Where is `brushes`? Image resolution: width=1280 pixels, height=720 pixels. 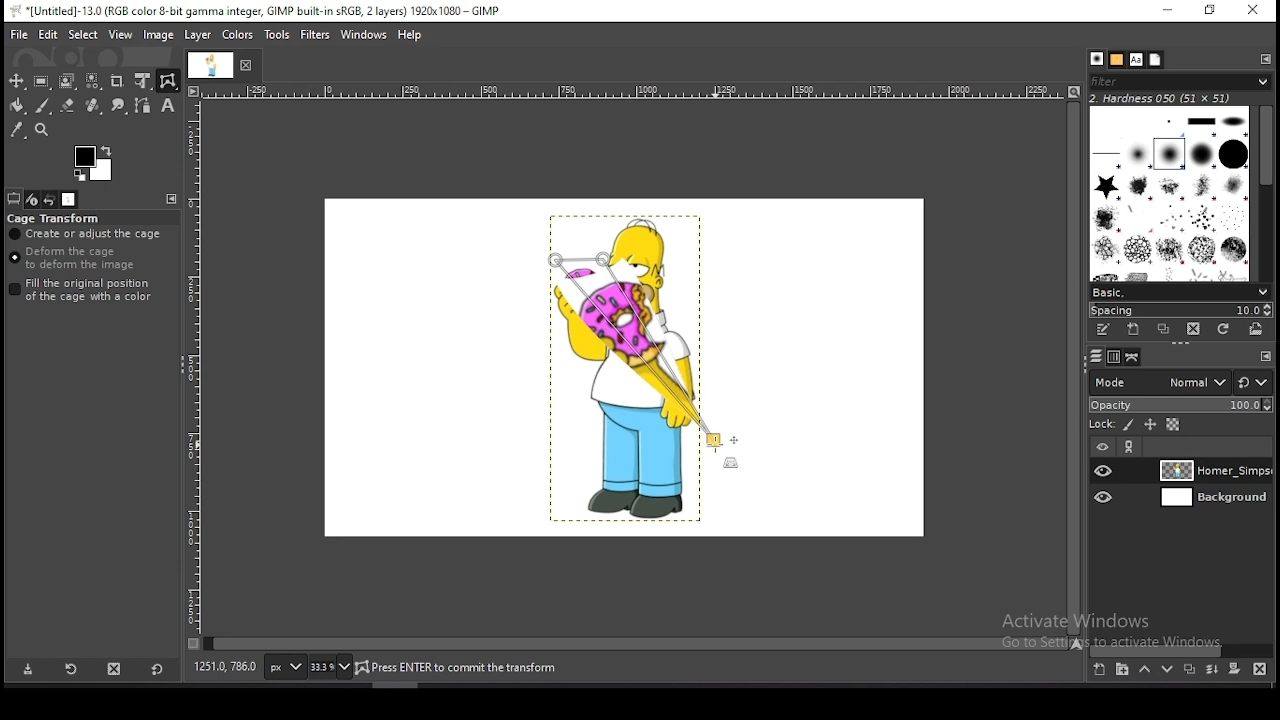 brushes is located at coordinates (1097, 60).